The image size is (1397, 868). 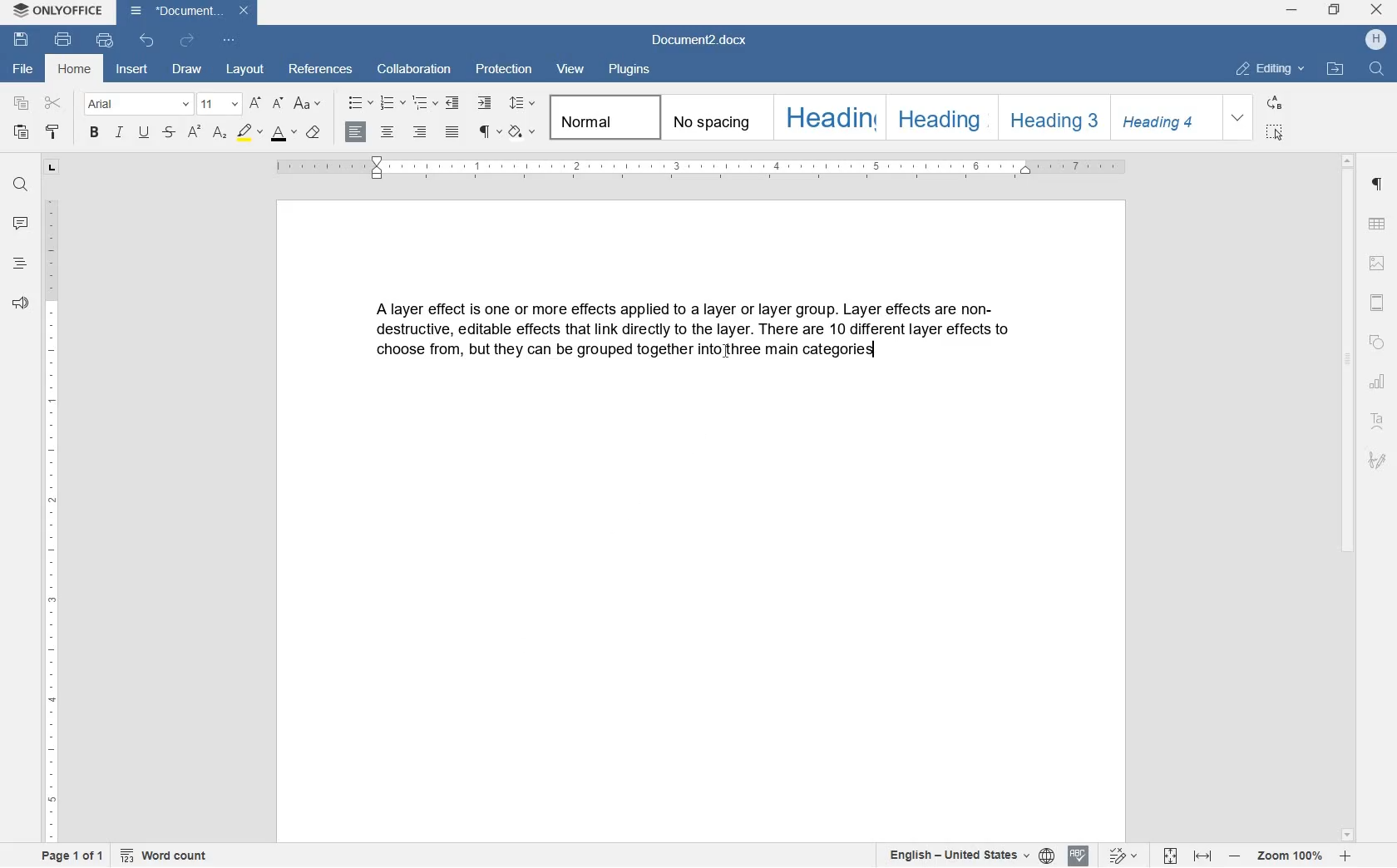 I want to click on open file locatio, so click(x=1335, y=69).